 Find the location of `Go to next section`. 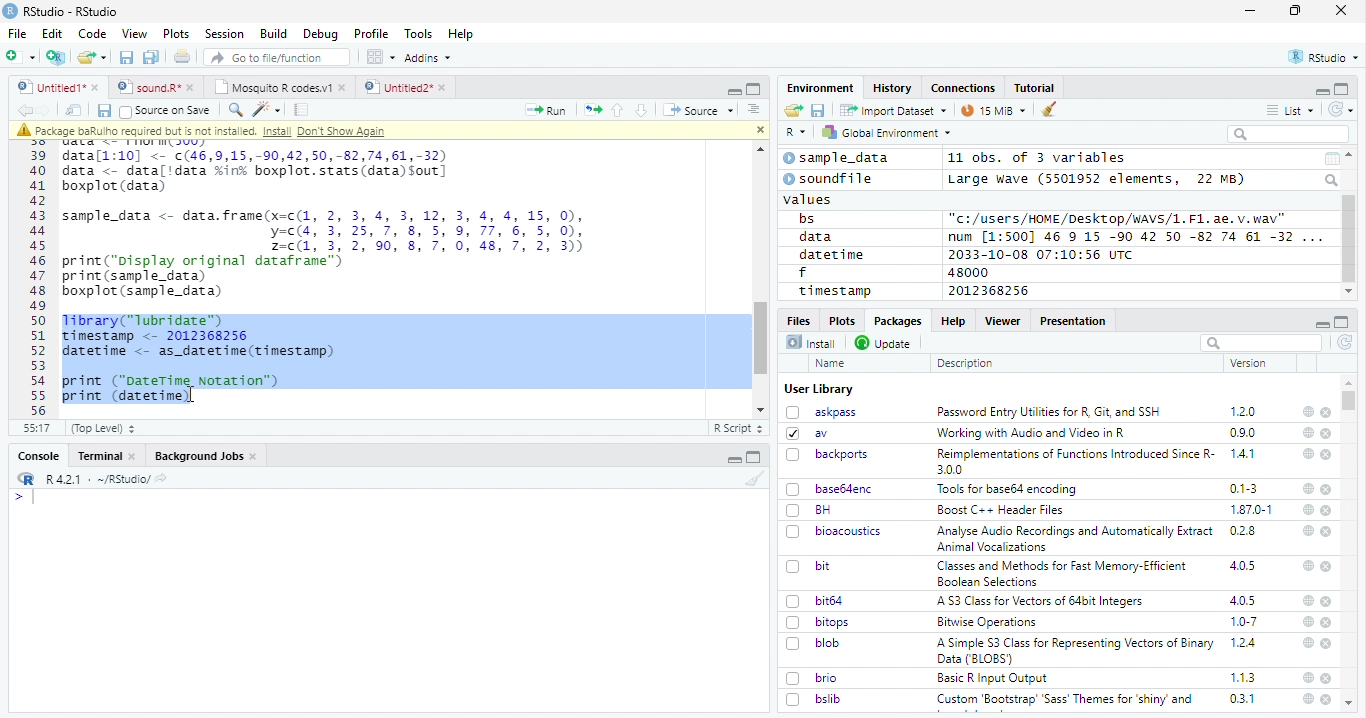

Go to next section is located at coordinates (644, 110).